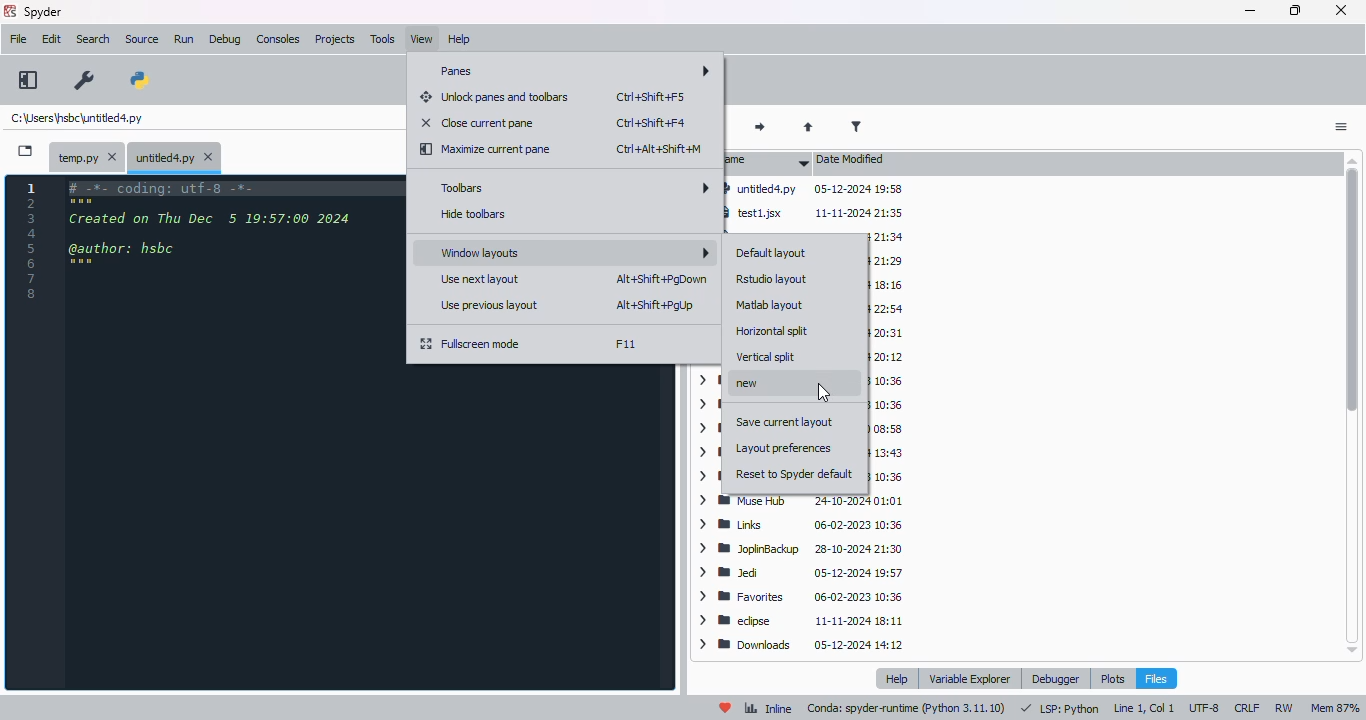 This screenshot has height=720, width=1366. Describe the element at coordinates (808, 128) in the screenshot. I see `parent` at that location.